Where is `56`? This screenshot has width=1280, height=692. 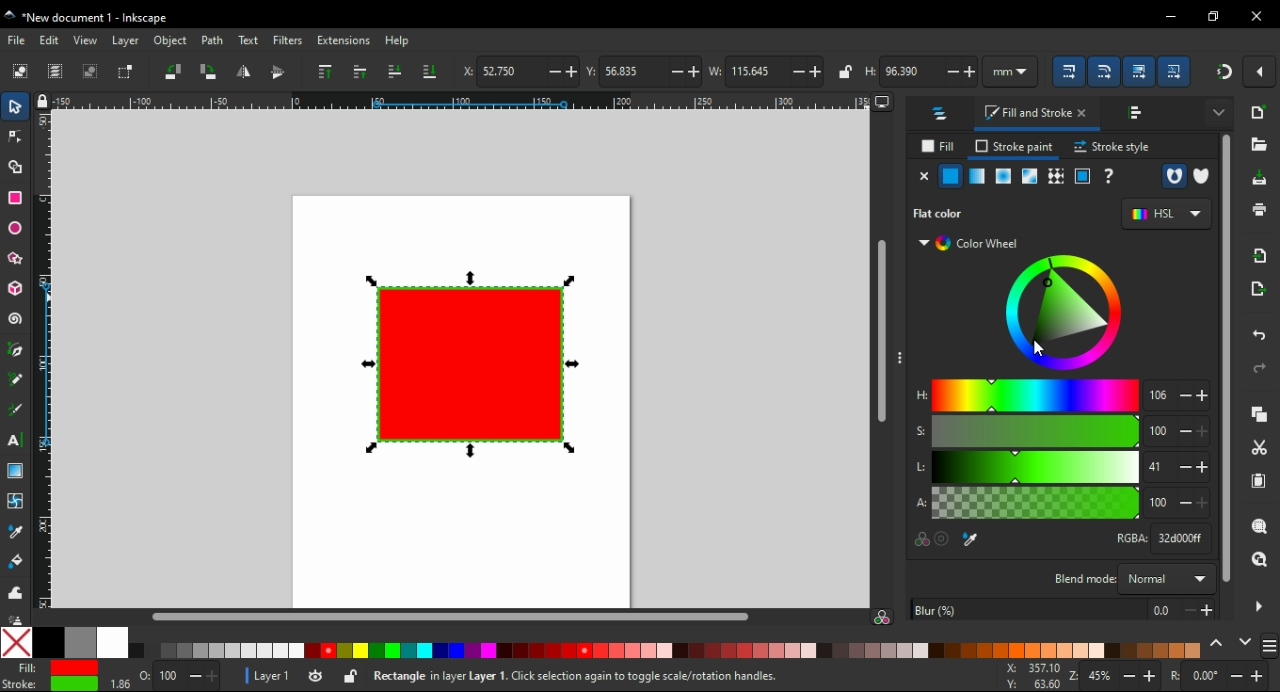
56 is located at coordinates (631, 71).